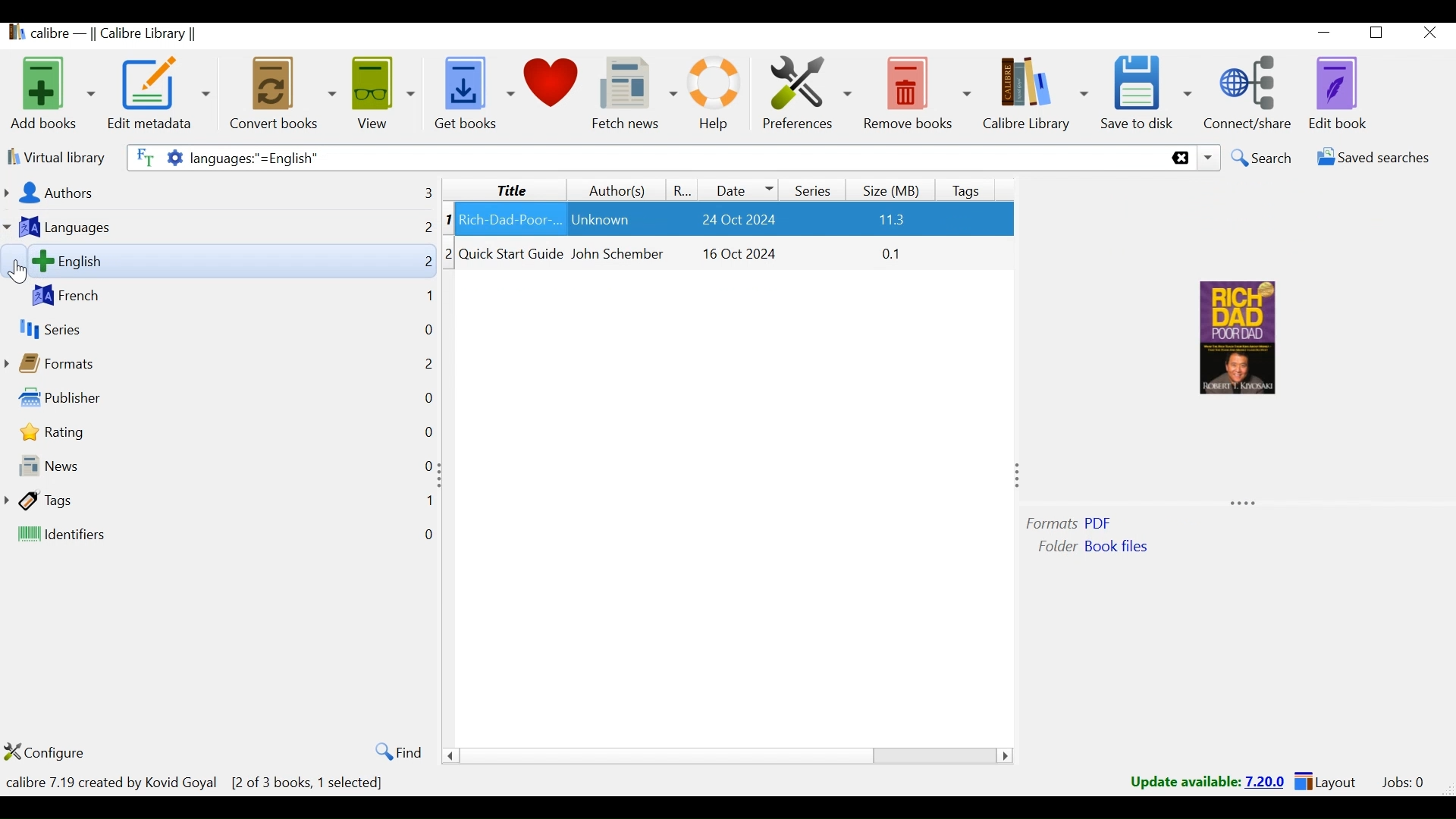 The image size is (1456, 819). I want to click on search (For advanced search click the gear icon to the left), so click(686, 158).